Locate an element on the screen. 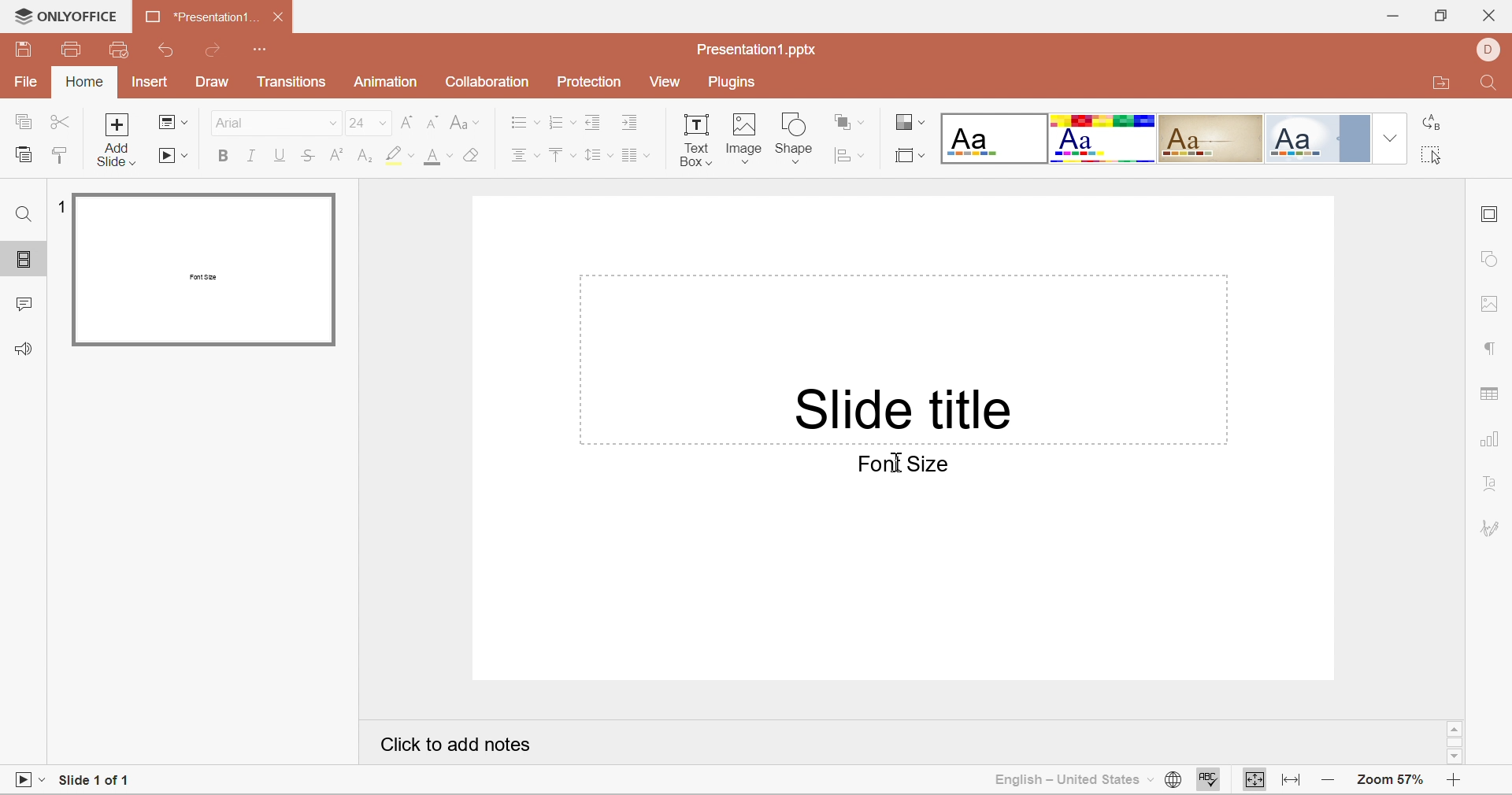 Image resolution: width=1512 pixels, height=795 pixels. Customize quick access toolbar is located at coordinates (261, 50).